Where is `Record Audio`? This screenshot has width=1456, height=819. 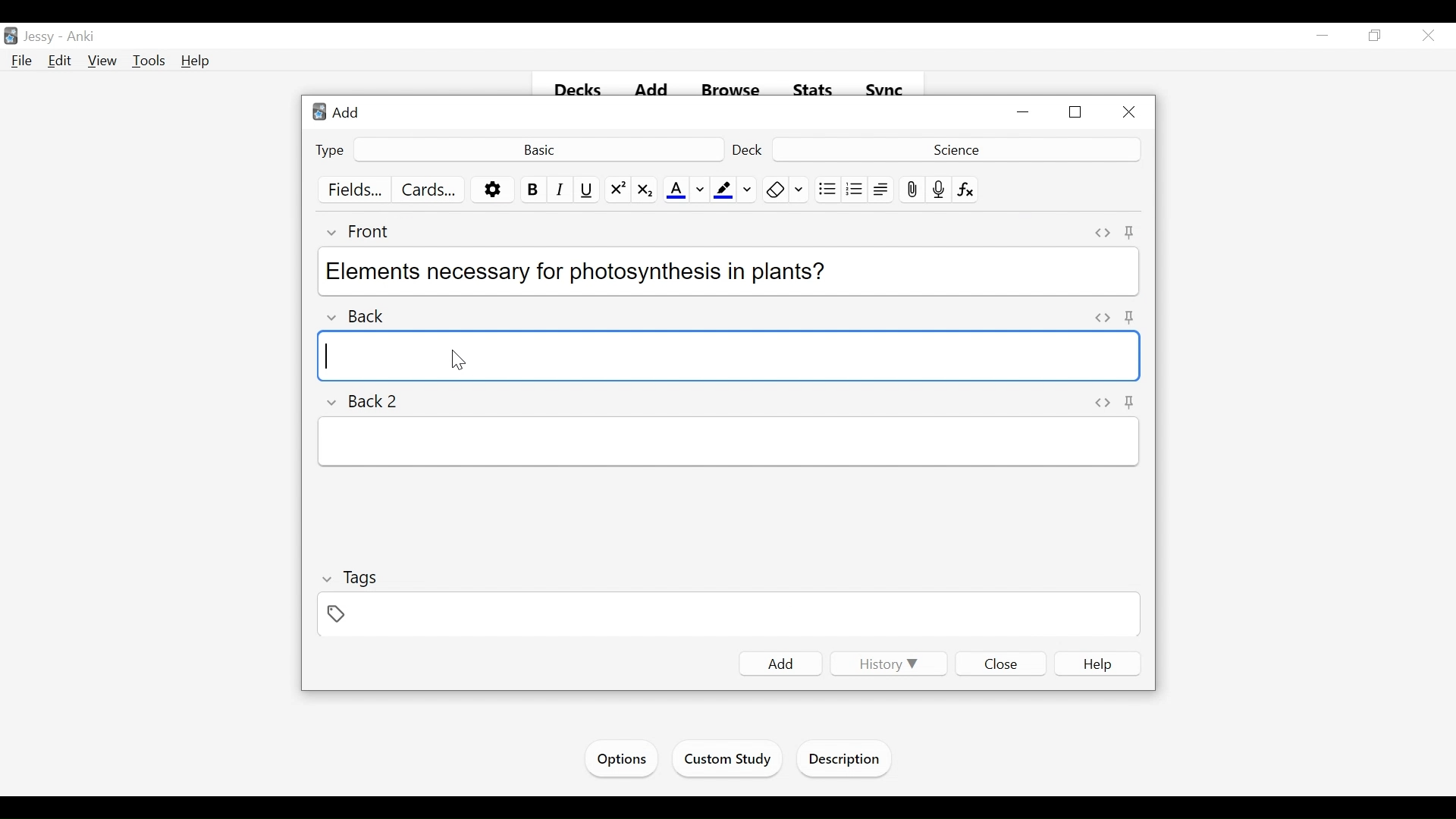 Record Audio is located at coordinates (939, 190).